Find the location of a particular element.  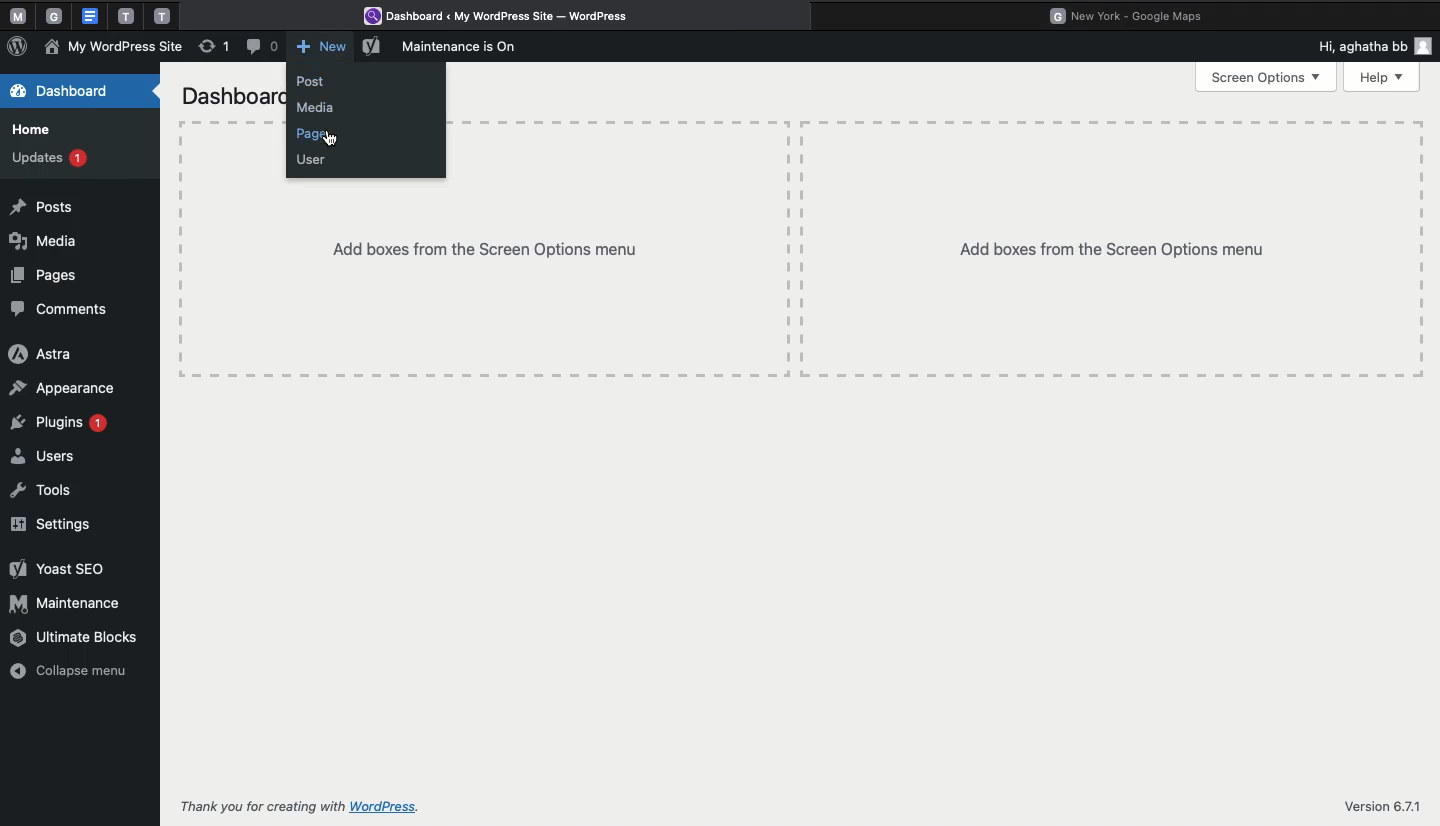

Maintenance  is located at coordinates (69, 604).